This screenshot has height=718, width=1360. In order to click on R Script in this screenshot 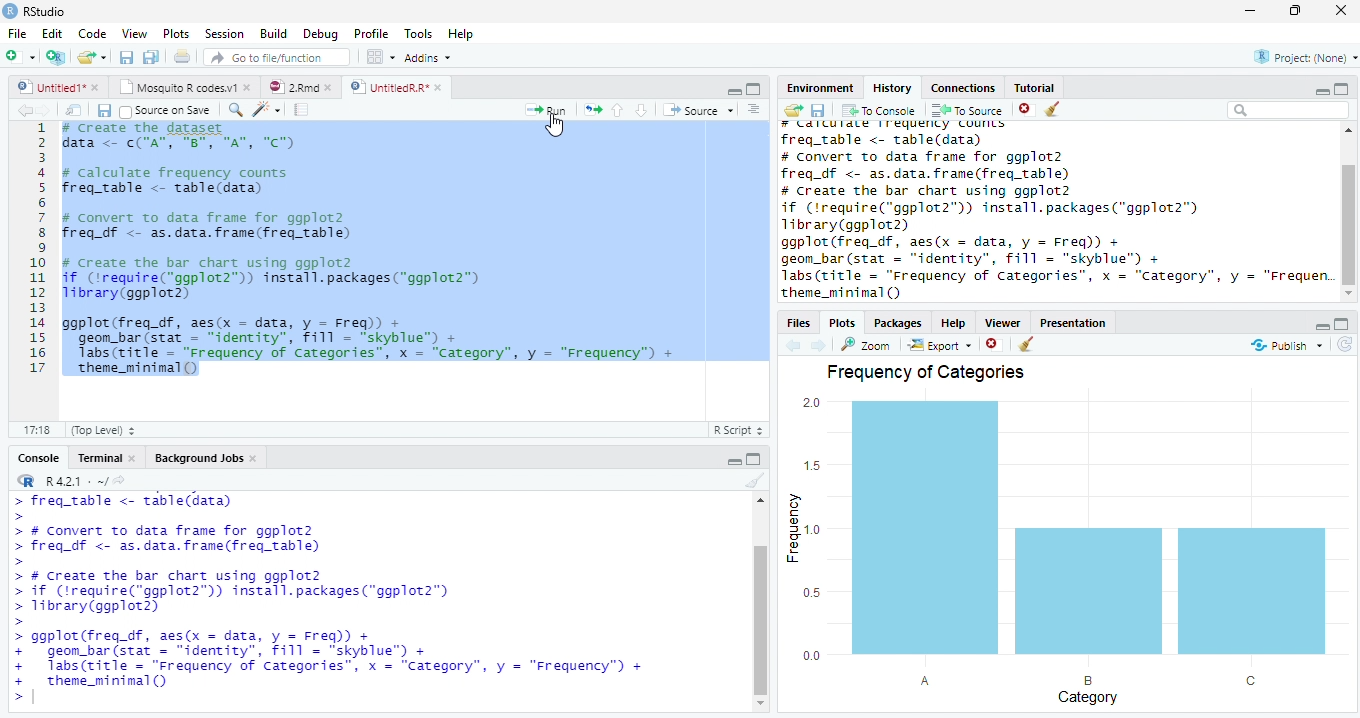, I will do `click(740, 431)`.